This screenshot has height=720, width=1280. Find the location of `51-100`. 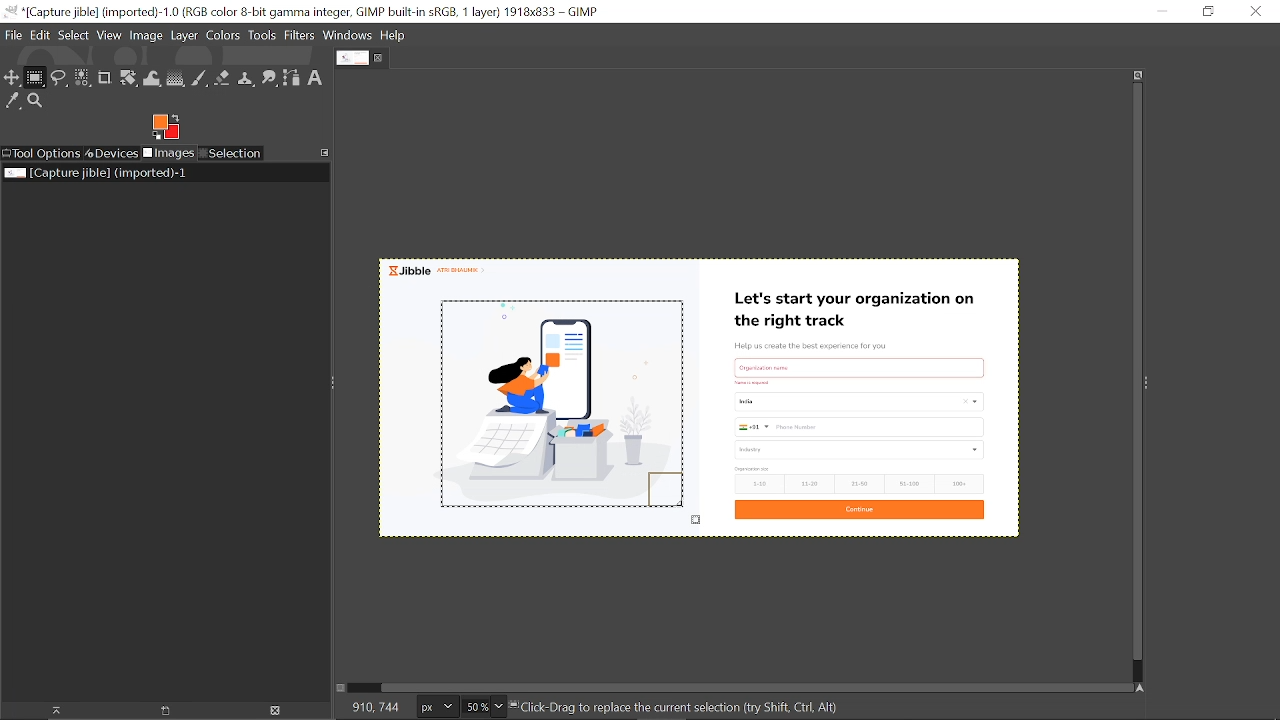

51-100 is located at coordinates (907, 483).